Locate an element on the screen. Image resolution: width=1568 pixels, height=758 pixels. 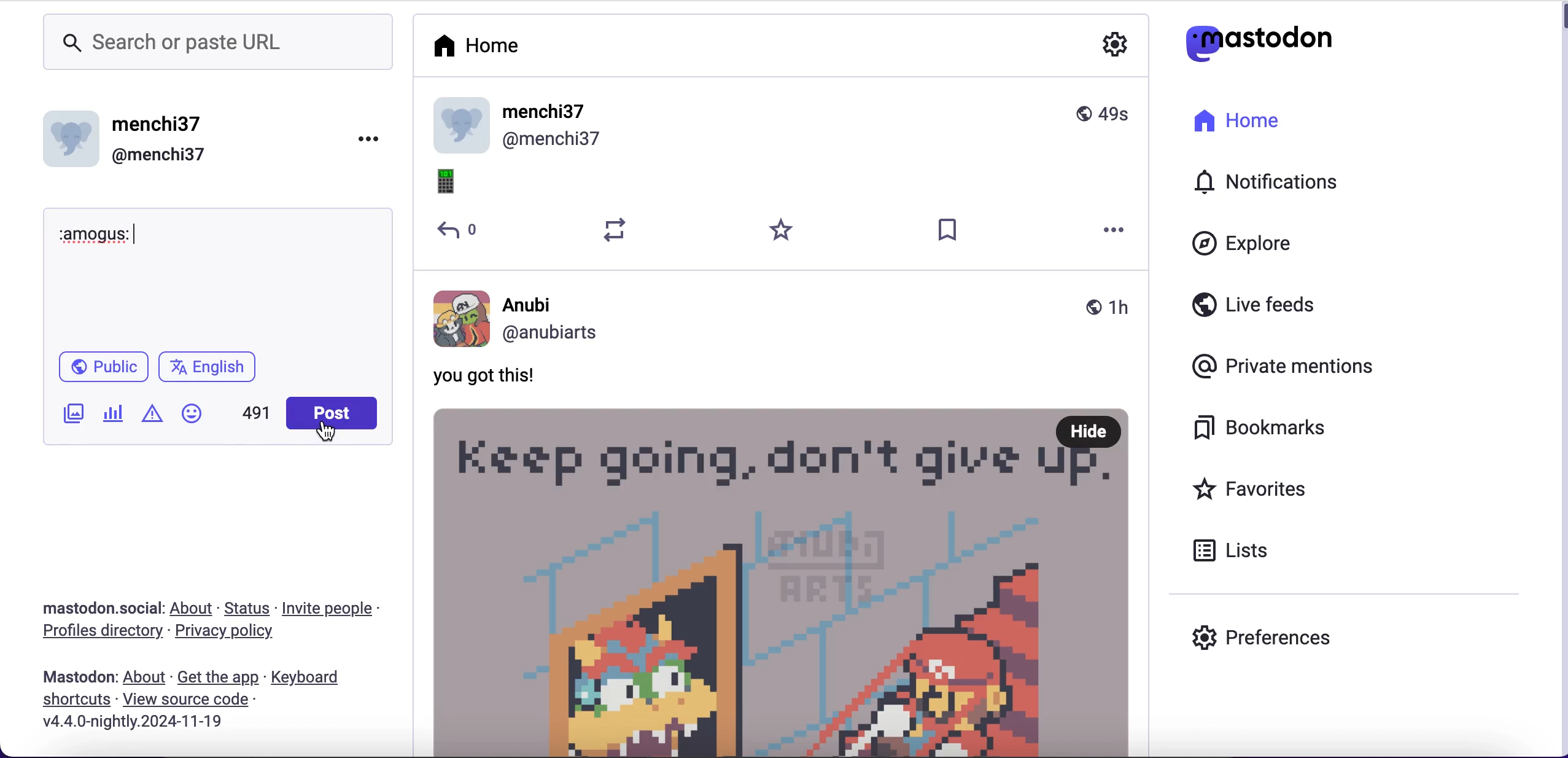
public is located at coordinates (105, 367).